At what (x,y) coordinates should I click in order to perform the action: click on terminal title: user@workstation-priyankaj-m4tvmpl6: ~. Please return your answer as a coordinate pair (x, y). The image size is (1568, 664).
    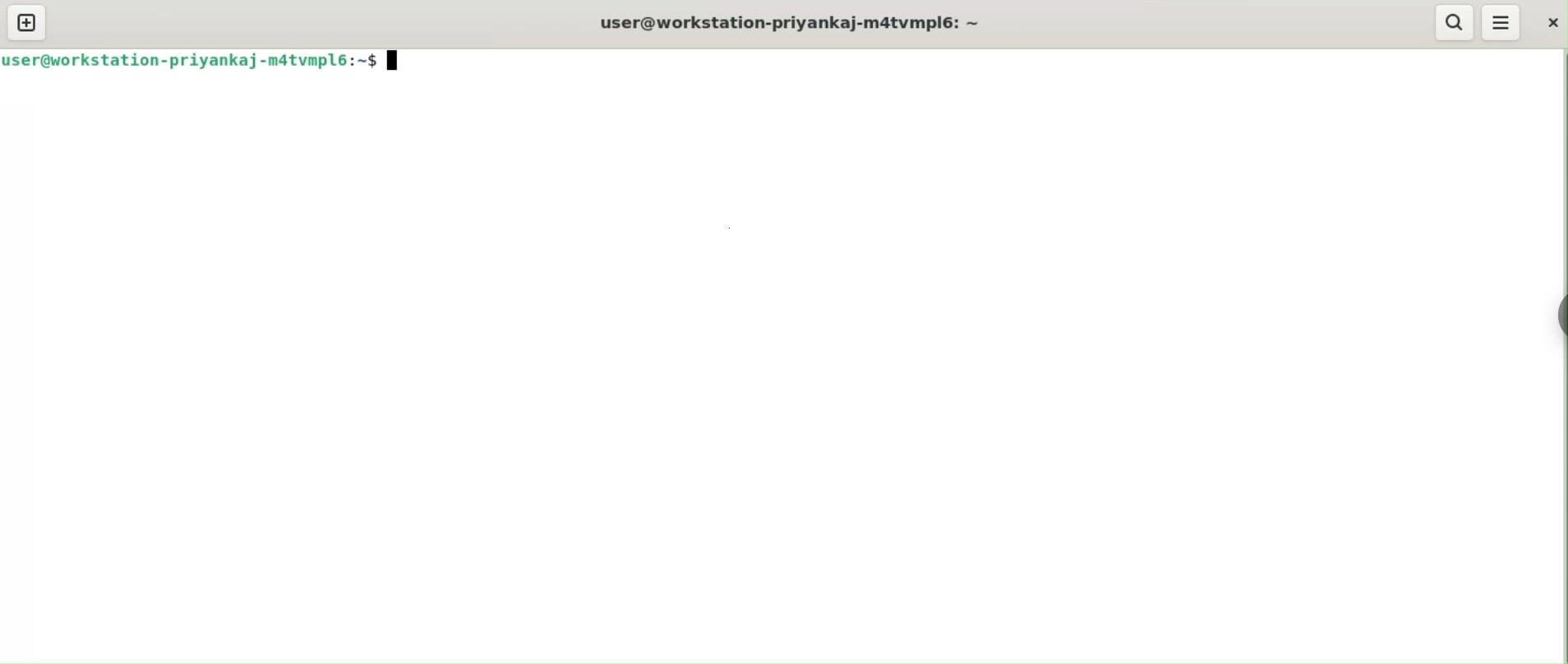
    Looking at the image, I should click on (793, 21).